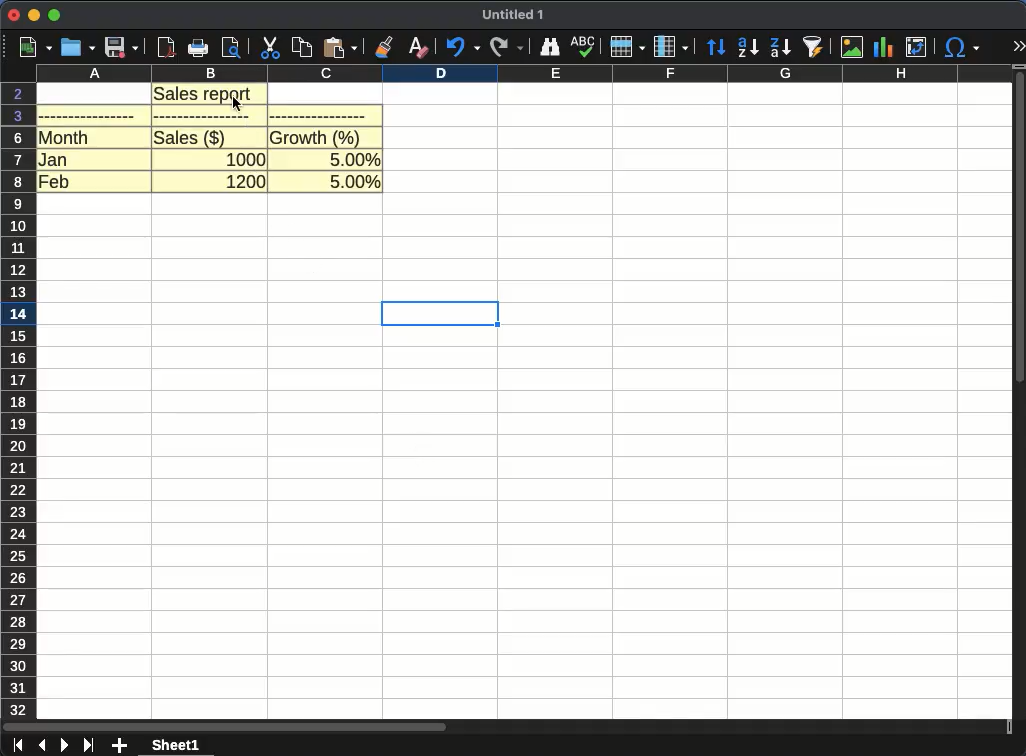 The width and height of the screenshot is (1026, 756). What do you see at coordinates (42, 746) in the screenshot?
I see `previous sheet` at bounding box center [42, 746].